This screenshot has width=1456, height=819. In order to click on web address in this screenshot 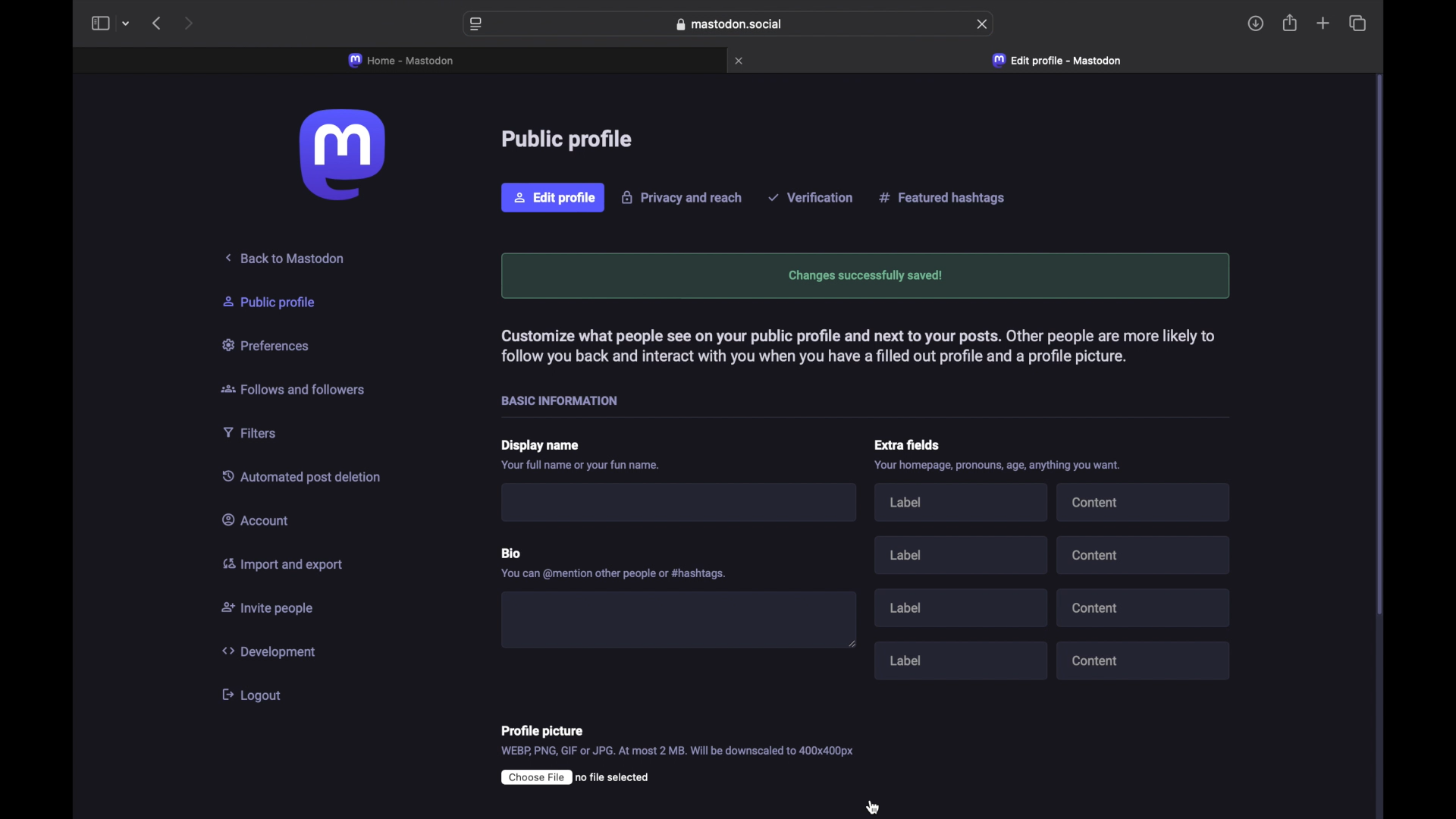, I will do `click(729, 24)`.